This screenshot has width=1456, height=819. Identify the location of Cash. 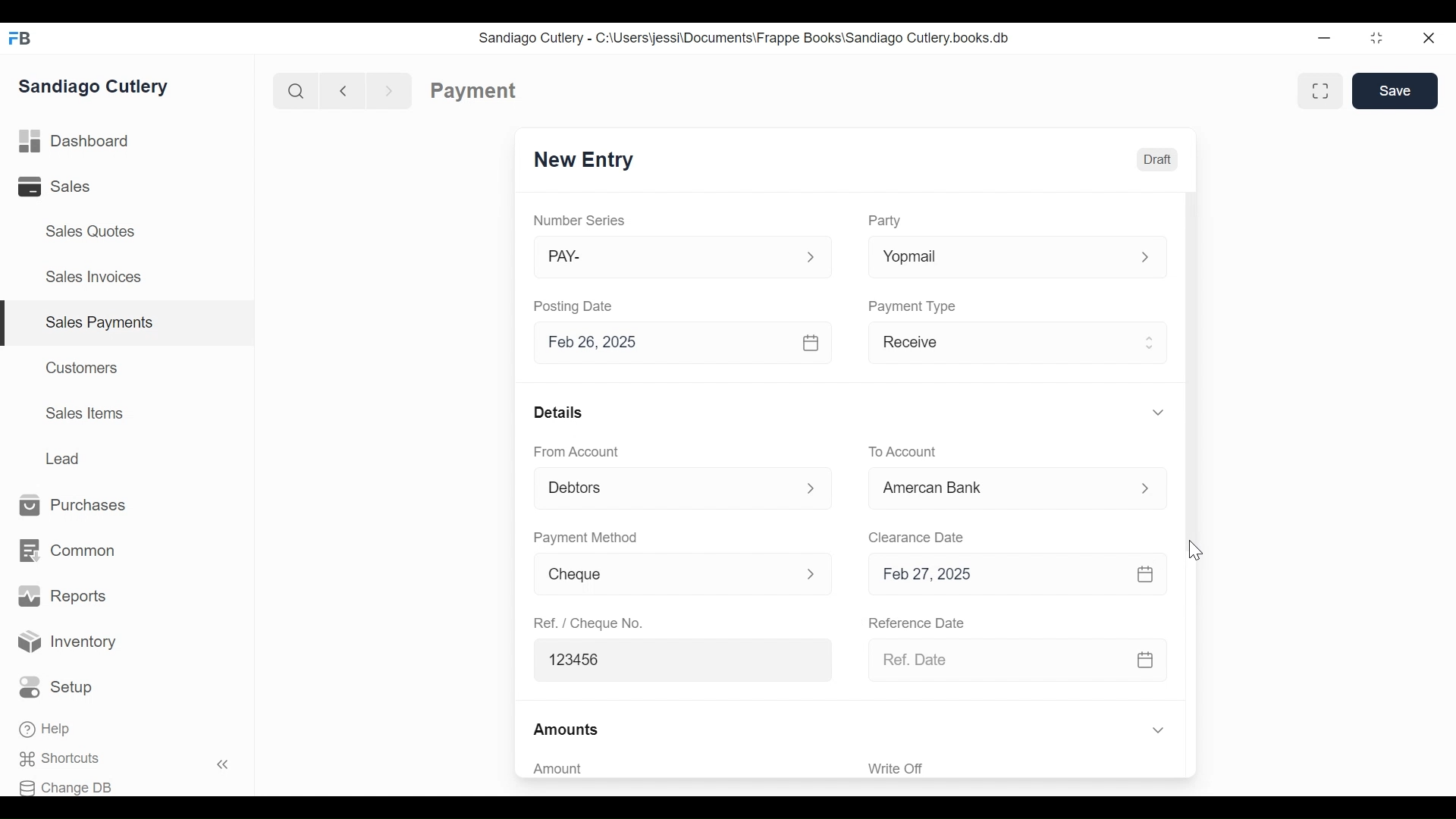
(1000, 490).